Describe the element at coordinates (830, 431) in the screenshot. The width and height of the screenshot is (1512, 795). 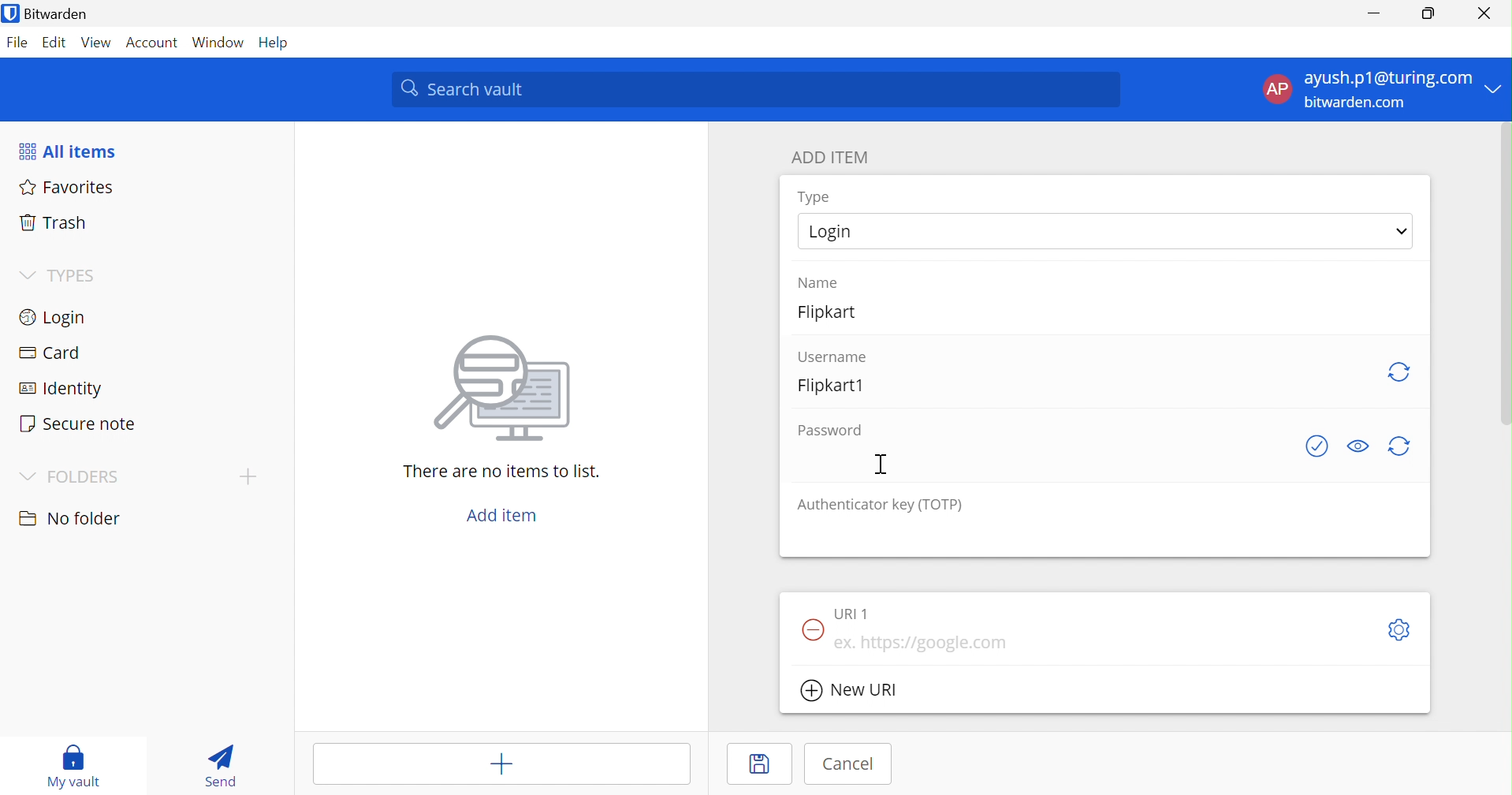
I see `Password` at that location.